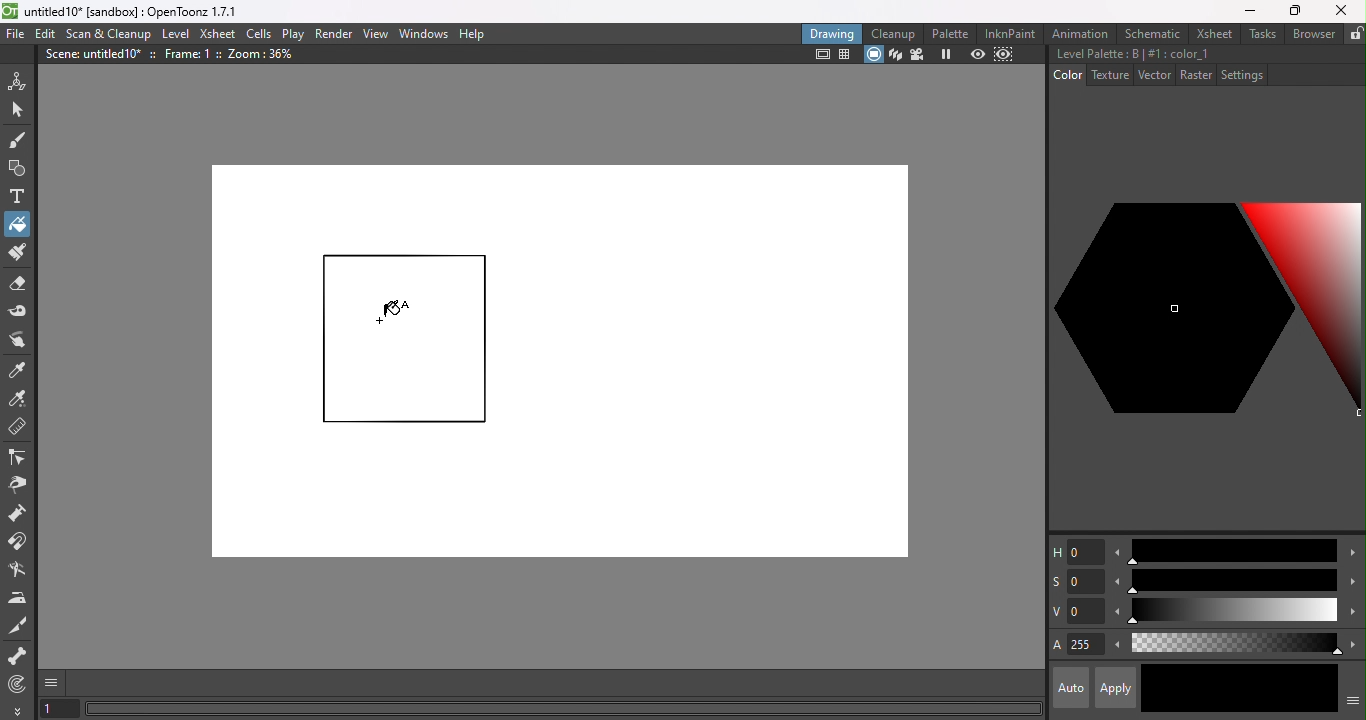 This screenshot has height=720, width=1366. What do you see at coordinates (1077, 583) in the screenshot?
I see `S` at bounding box center [1077, 583].